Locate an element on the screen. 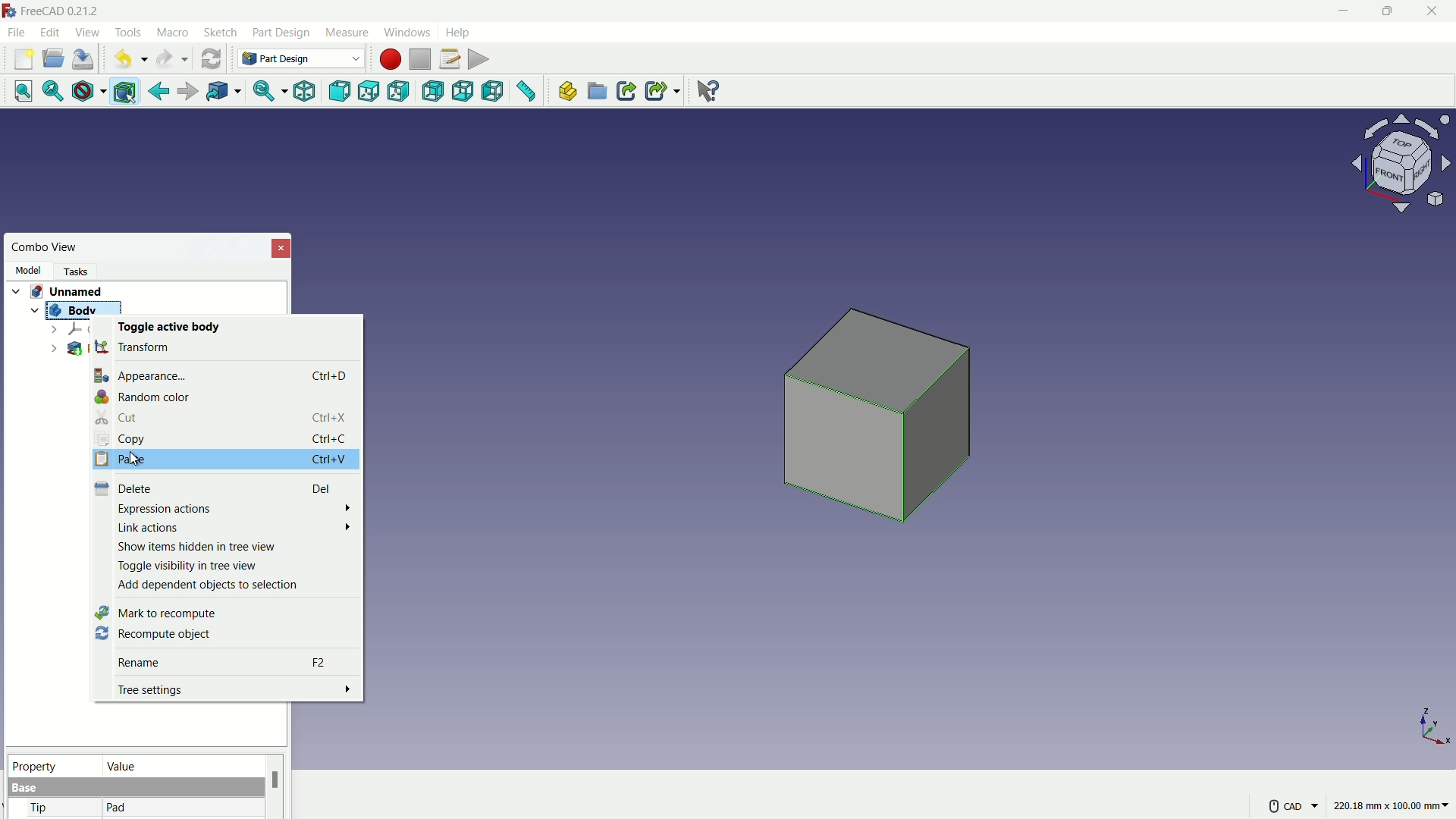 This screenshot has width=1456, height=819. Tree settings is located at coordinates (233, 691).